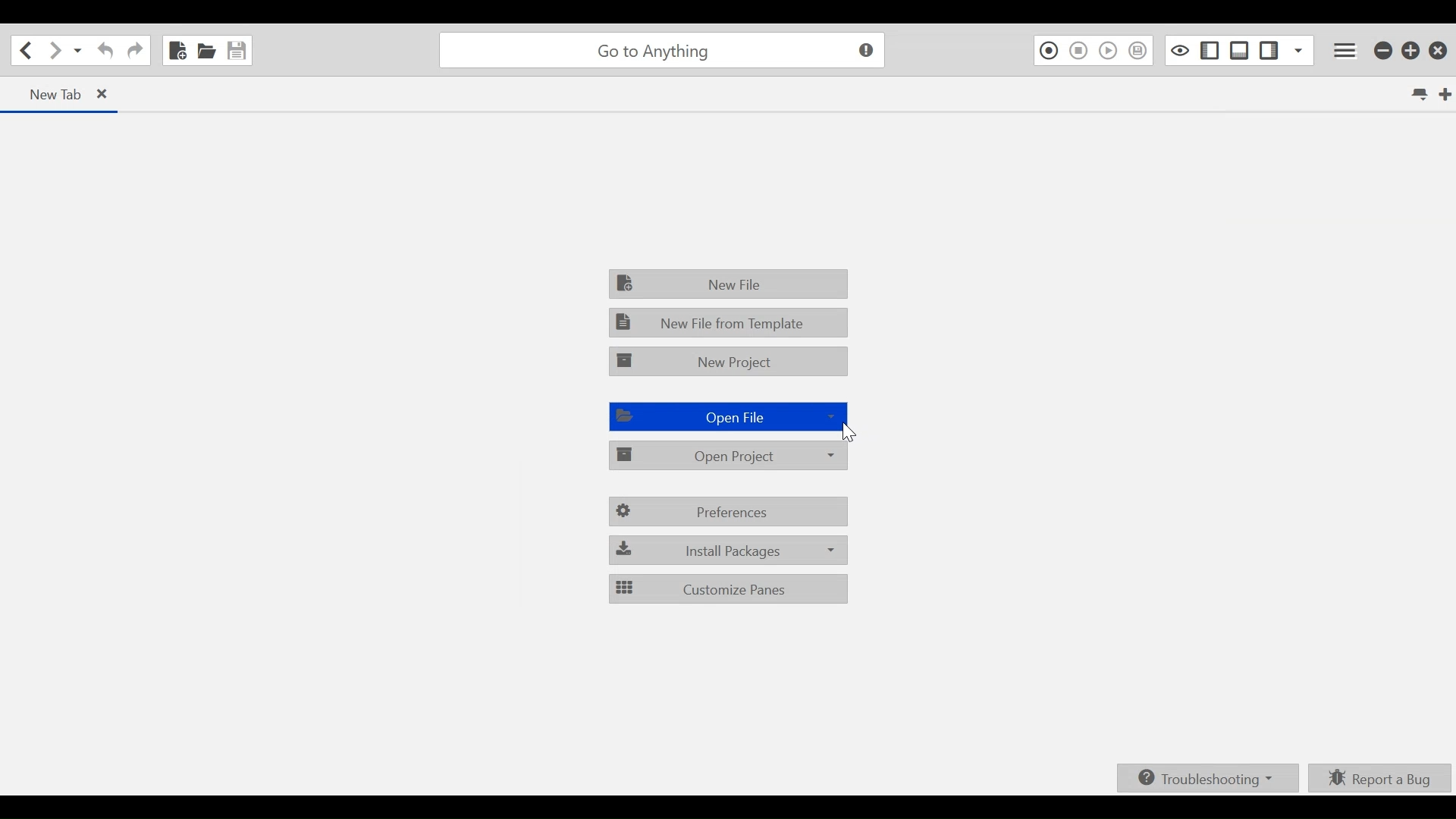 The height and width of the screenshot is (819, 1456). I want to click on Cursor, so click(847, 431).